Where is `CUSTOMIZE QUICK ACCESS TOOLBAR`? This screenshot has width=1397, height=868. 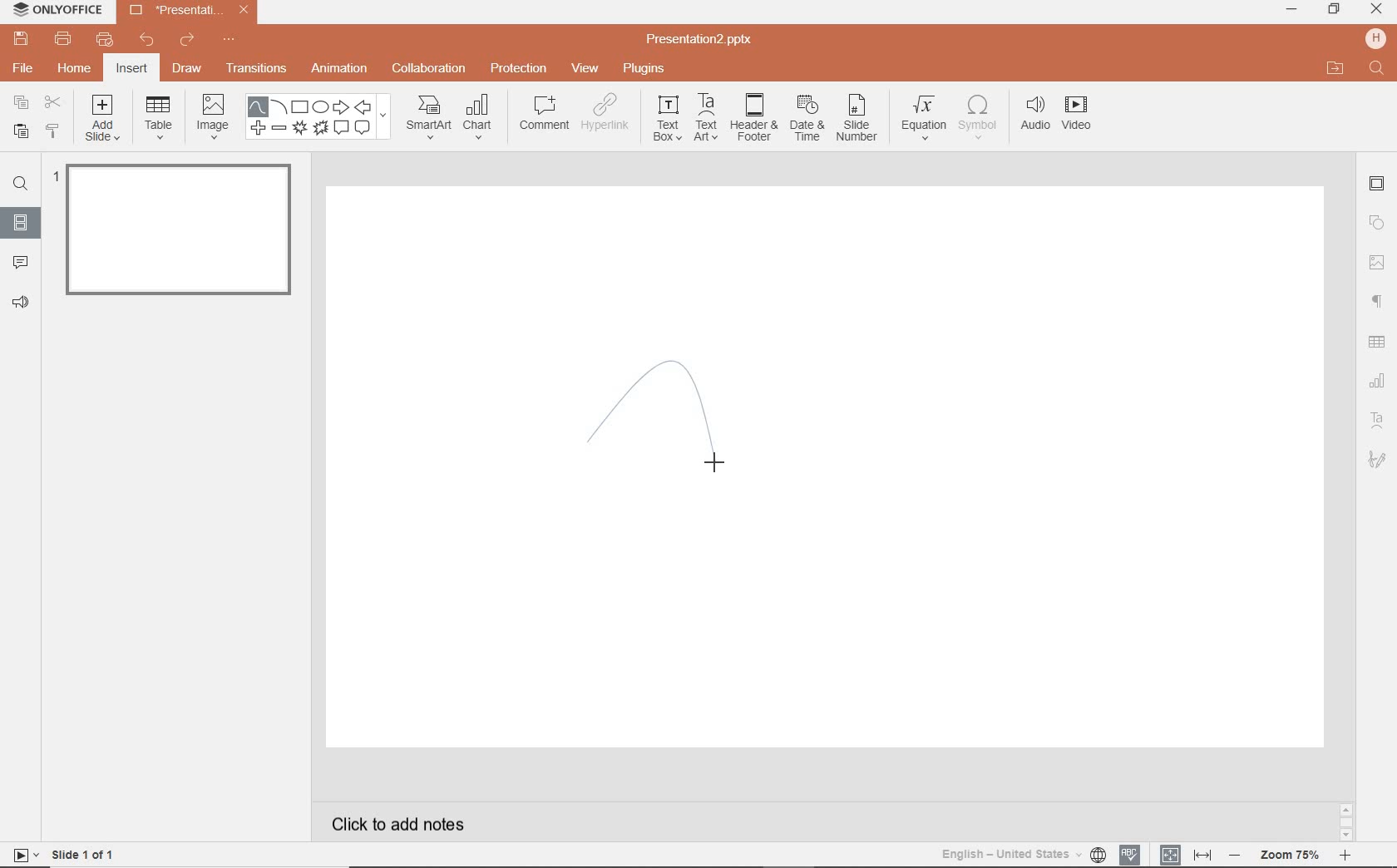
CUSTOMIZE QUICK ACCESS TOOLBAR is located at coordinates (229, 42).